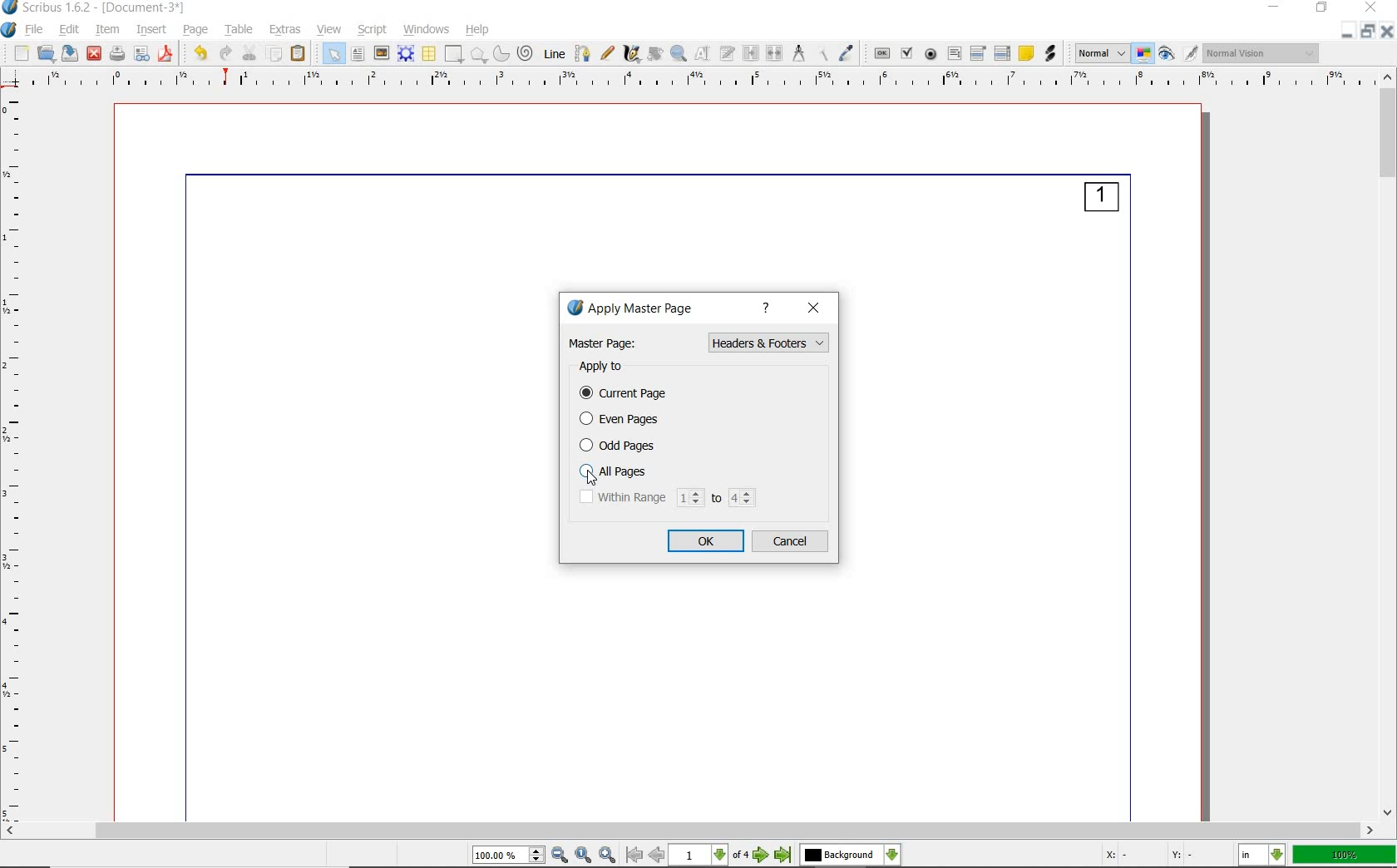  I want to click on select current zoom level, so click(510, 856).